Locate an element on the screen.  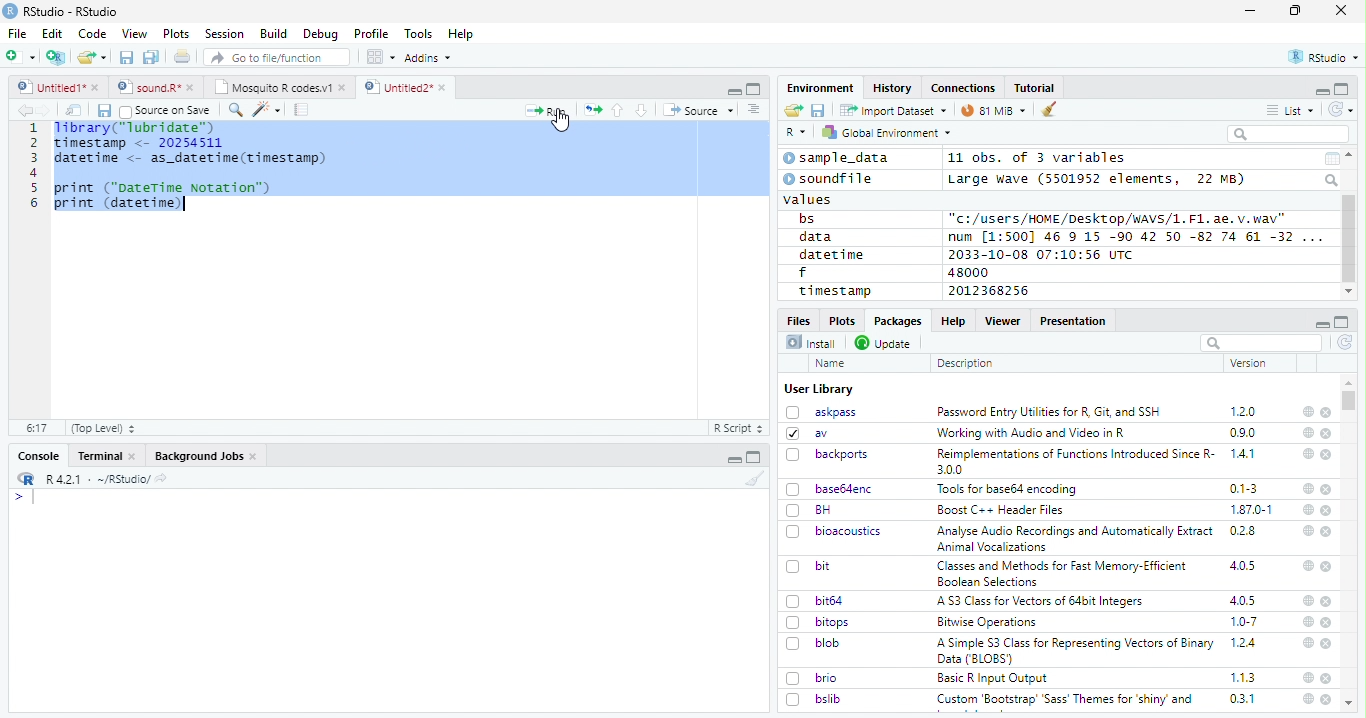
soundfile is located at coordinates (829, 179).